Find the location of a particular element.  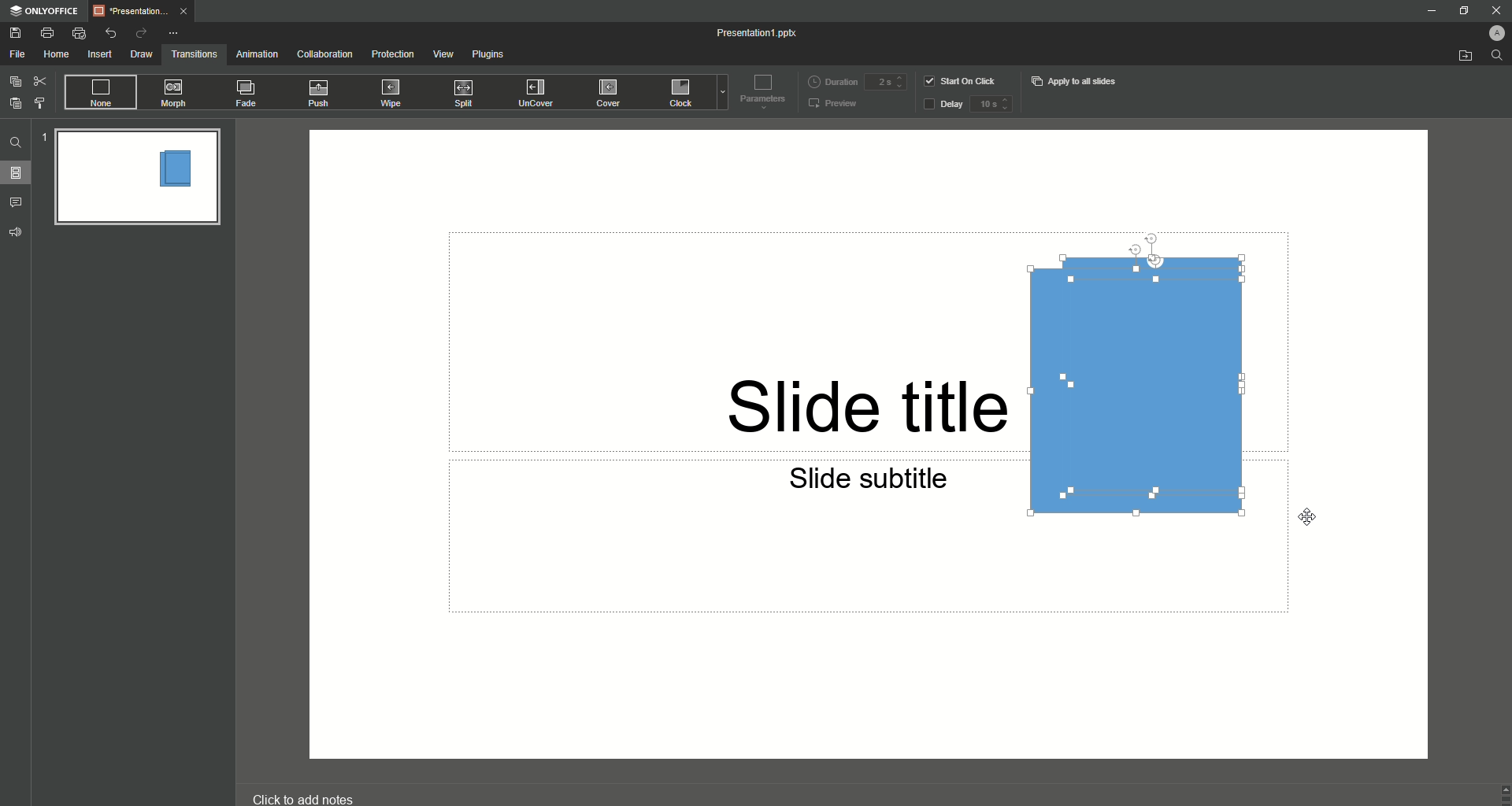

Slides is located at coordinates (17, 172).